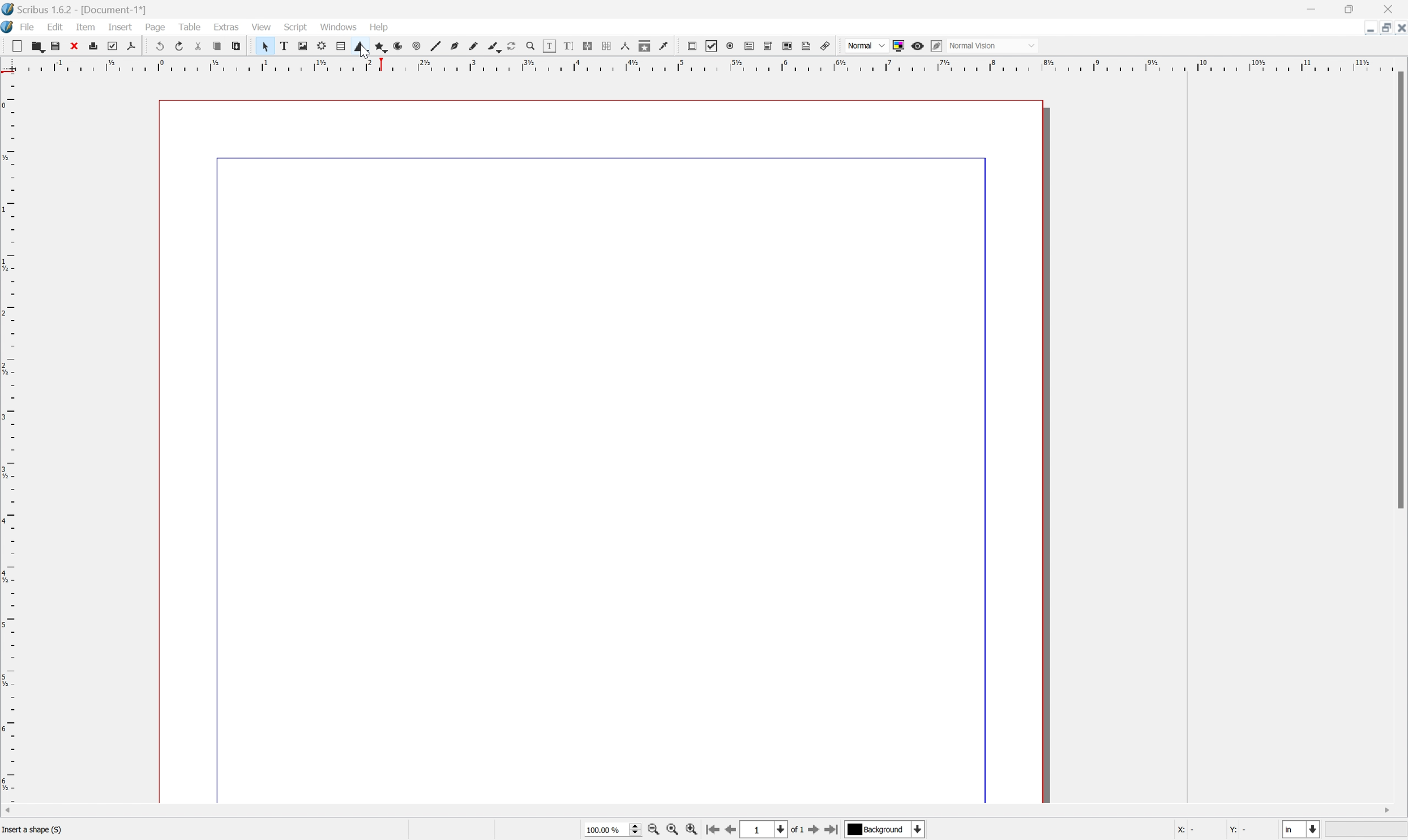 The height and width of the screenshot is (840, 1408). Describe the element at coordinates (1381, 28) in the screenshot. I see `Restore Down` at that location.